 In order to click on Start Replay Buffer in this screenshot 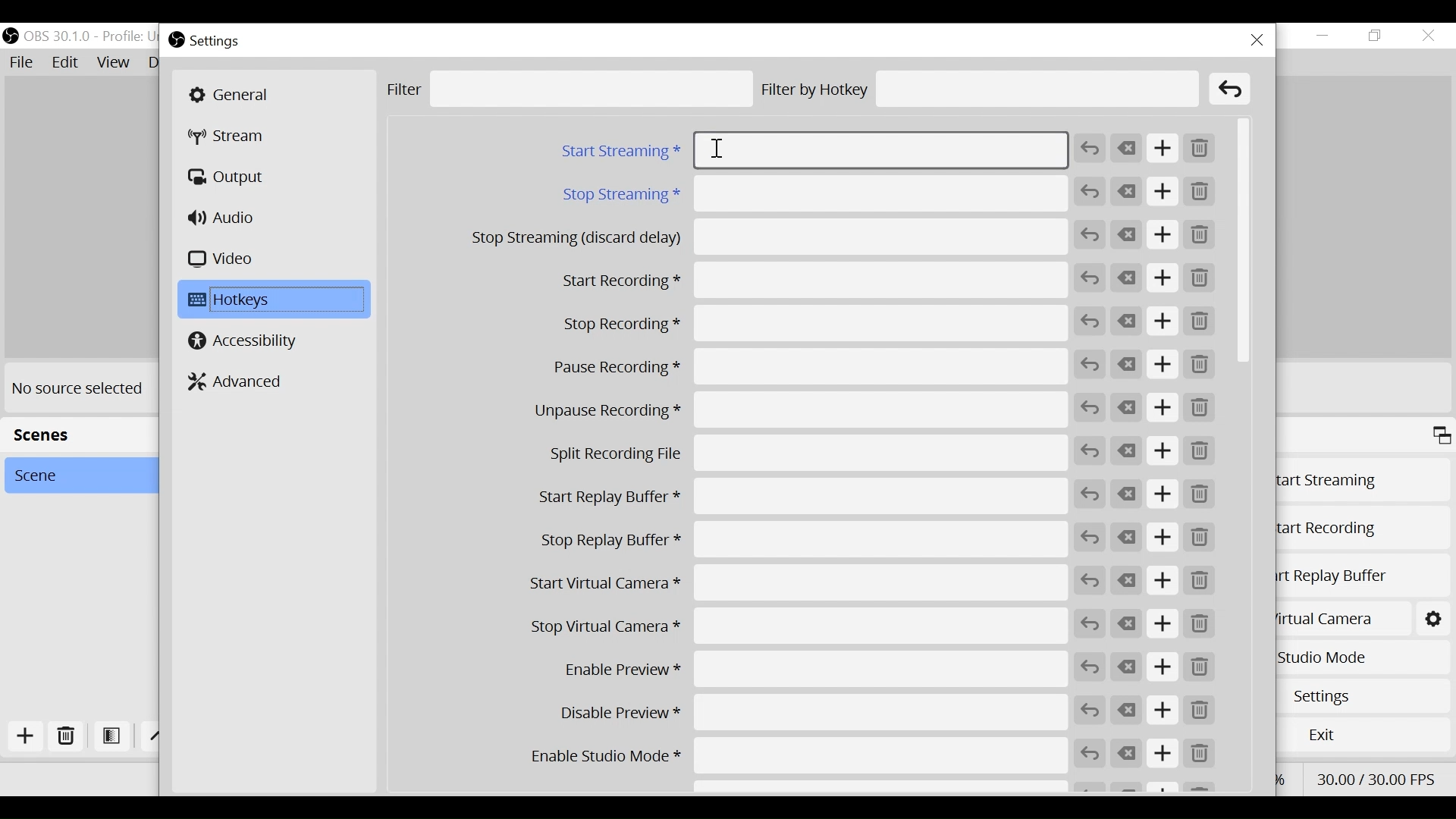, I will do `click(798, 496)`.